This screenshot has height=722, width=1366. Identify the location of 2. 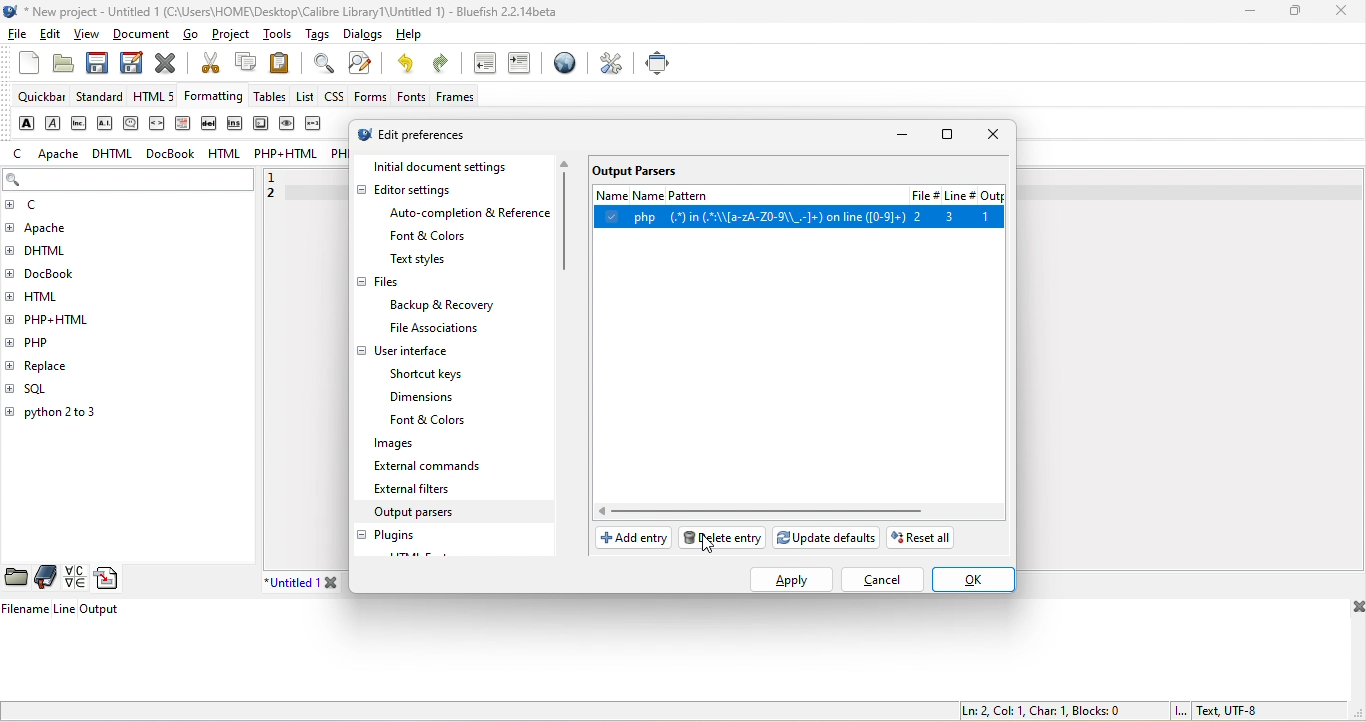
(277, 196).